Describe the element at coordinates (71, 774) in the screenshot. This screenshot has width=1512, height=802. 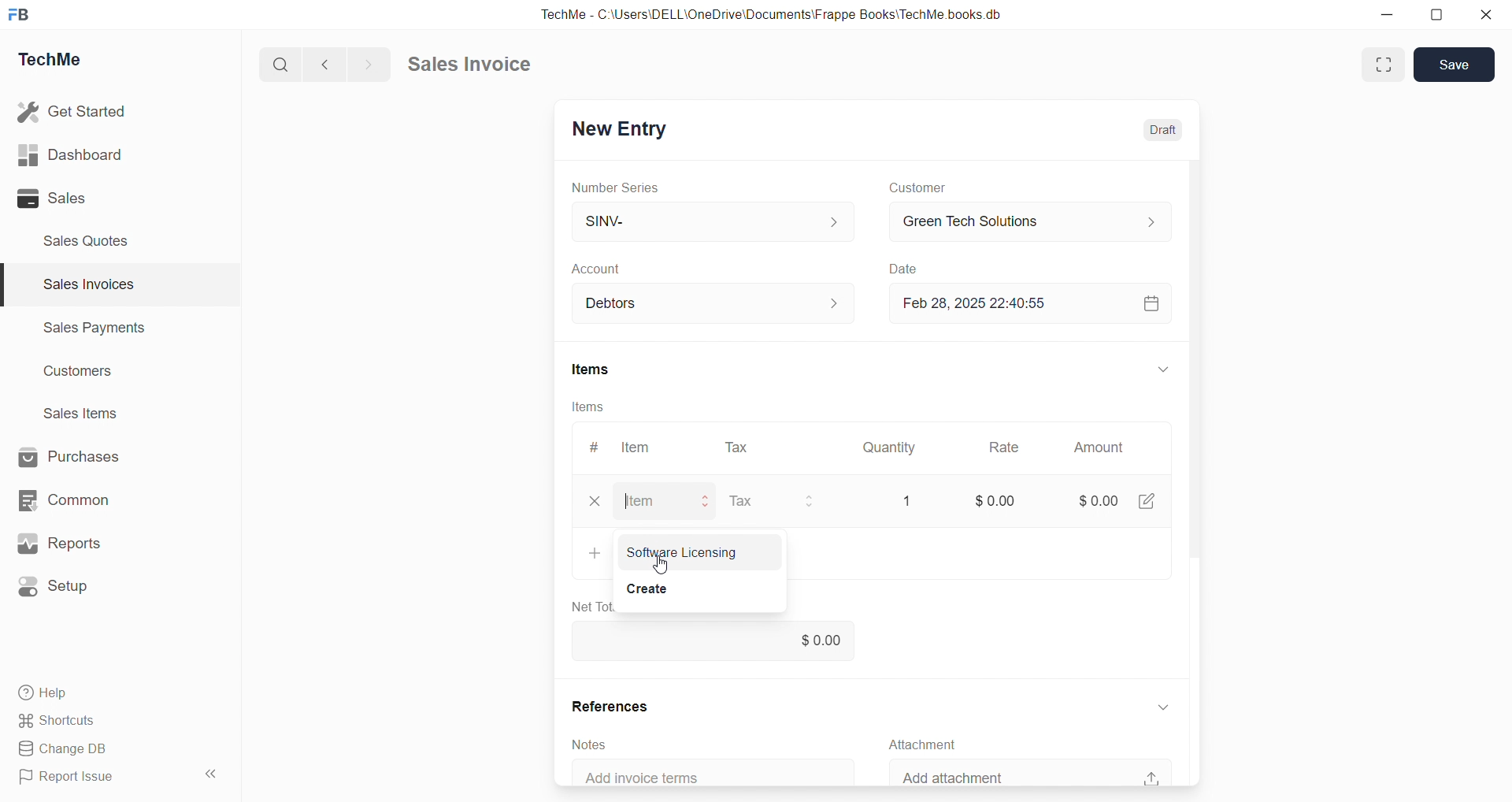
I see `Report Issue` at that location.